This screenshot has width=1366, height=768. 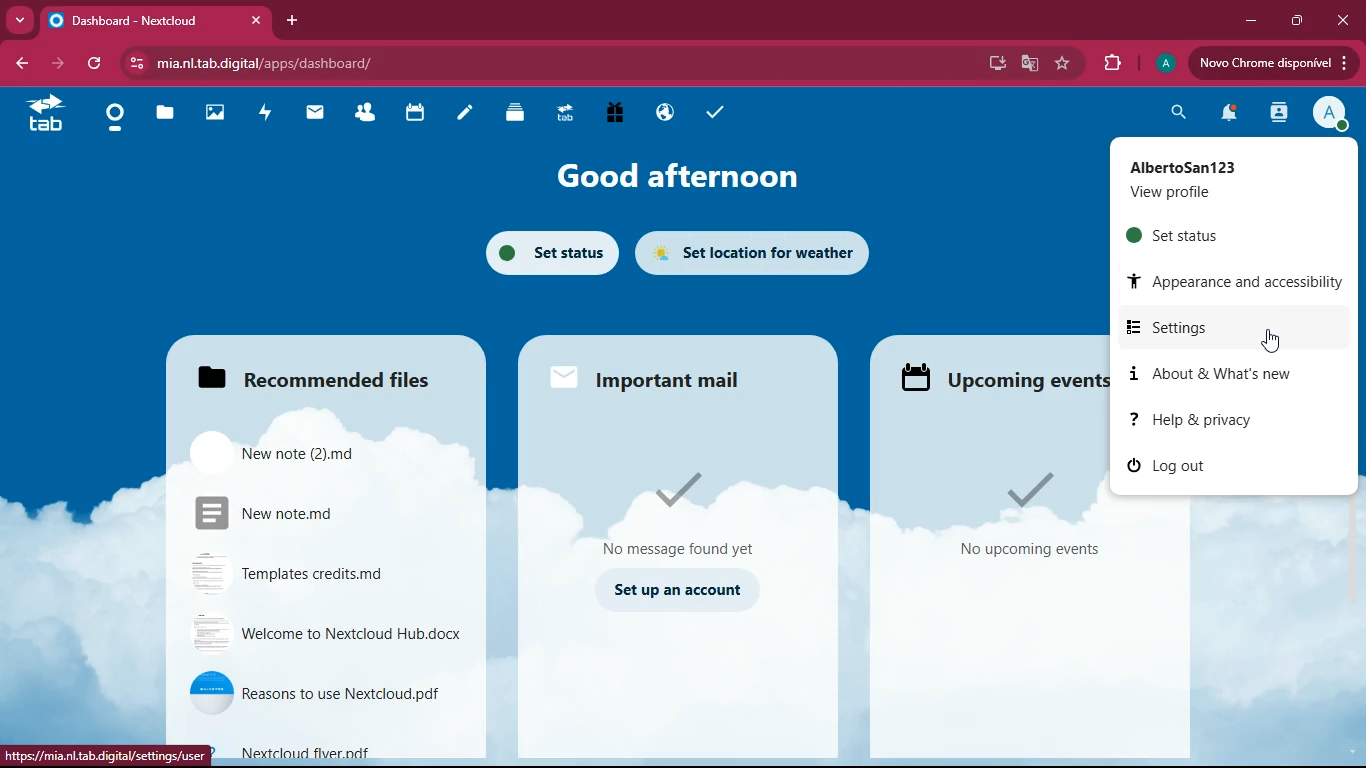 What do you see at coordinates (292, 20) in the screenshot?
I see `add tab` at bounding box center [292, 20].